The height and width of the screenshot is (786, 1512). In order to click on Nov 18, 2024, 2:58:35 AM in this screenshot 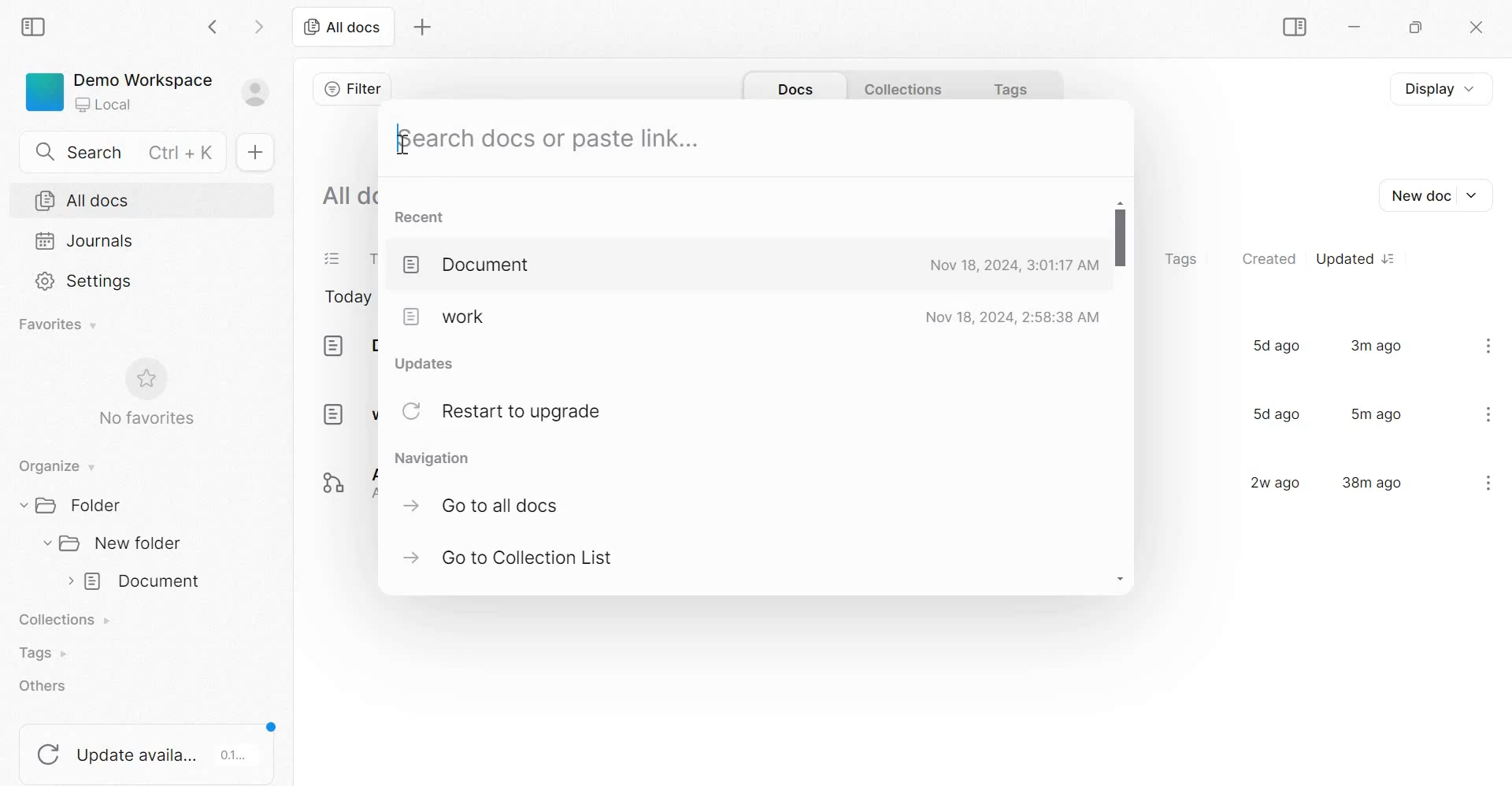, I will do `click(1013, 317)`.